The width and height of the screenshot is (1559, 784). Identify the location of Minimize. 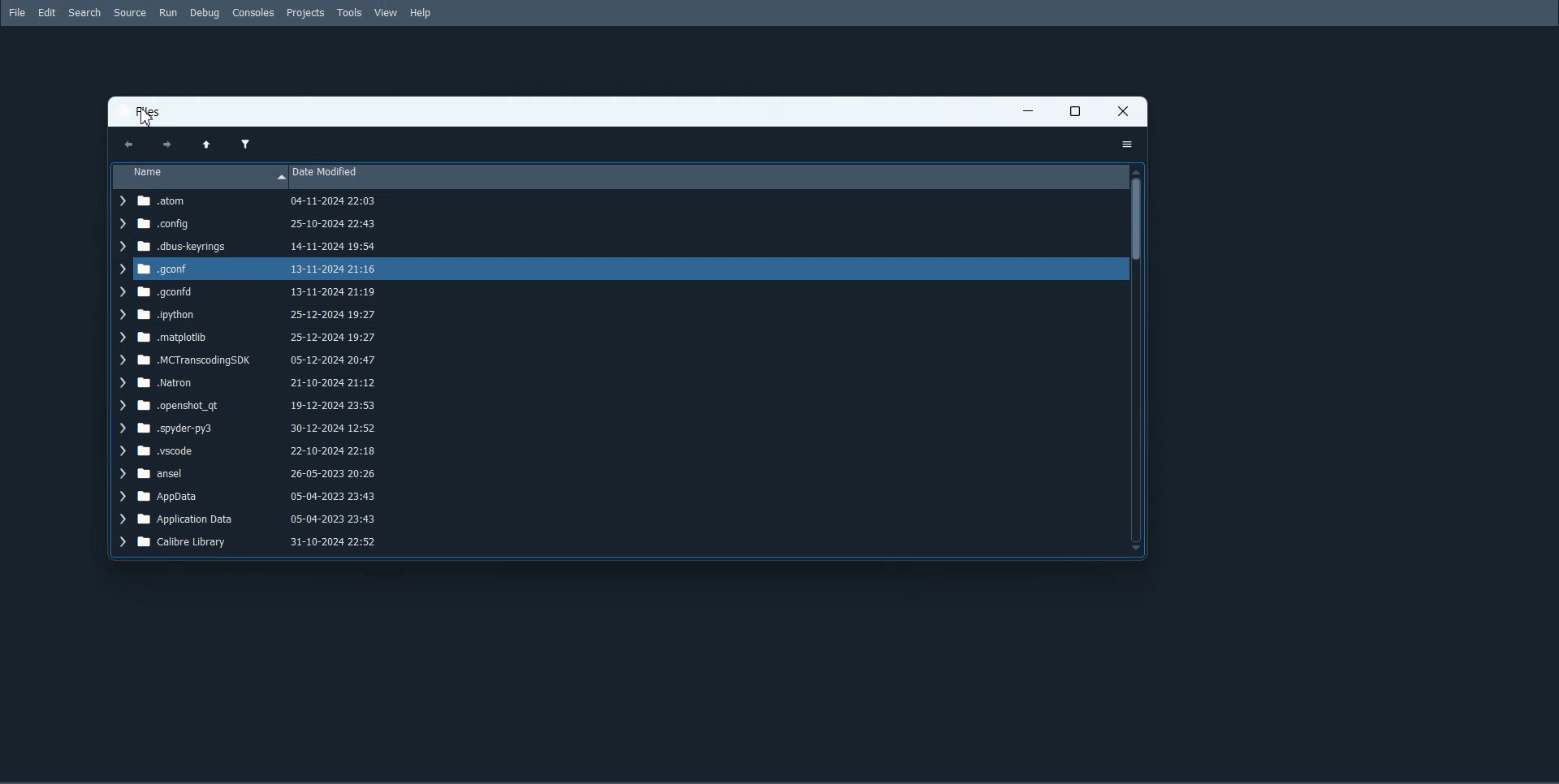
(1029, 112).